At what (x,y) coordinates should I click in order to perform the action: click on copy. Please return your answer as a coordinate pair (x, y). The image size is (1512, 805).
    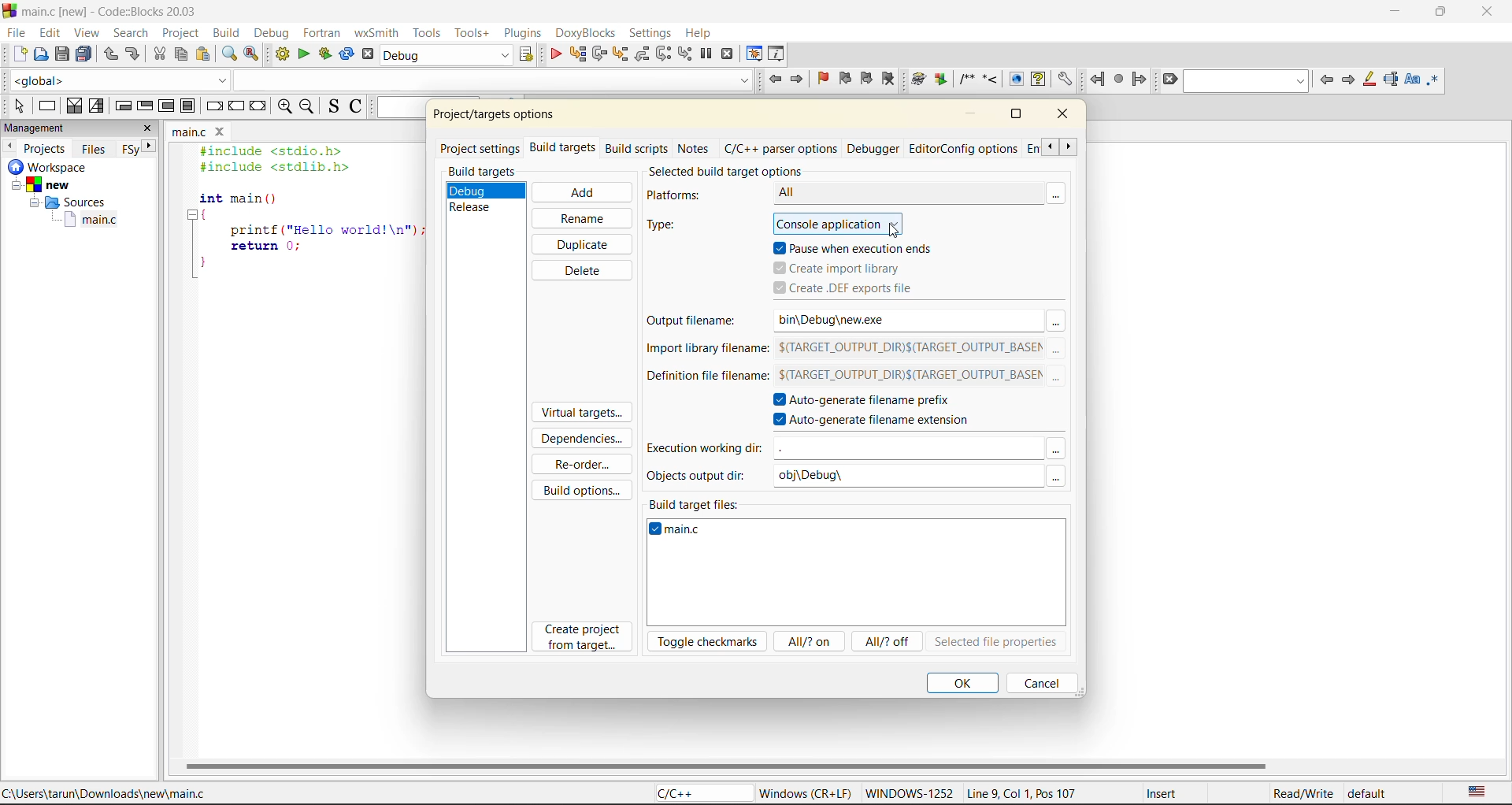
    Looking at the image, I should click on (182, 54).